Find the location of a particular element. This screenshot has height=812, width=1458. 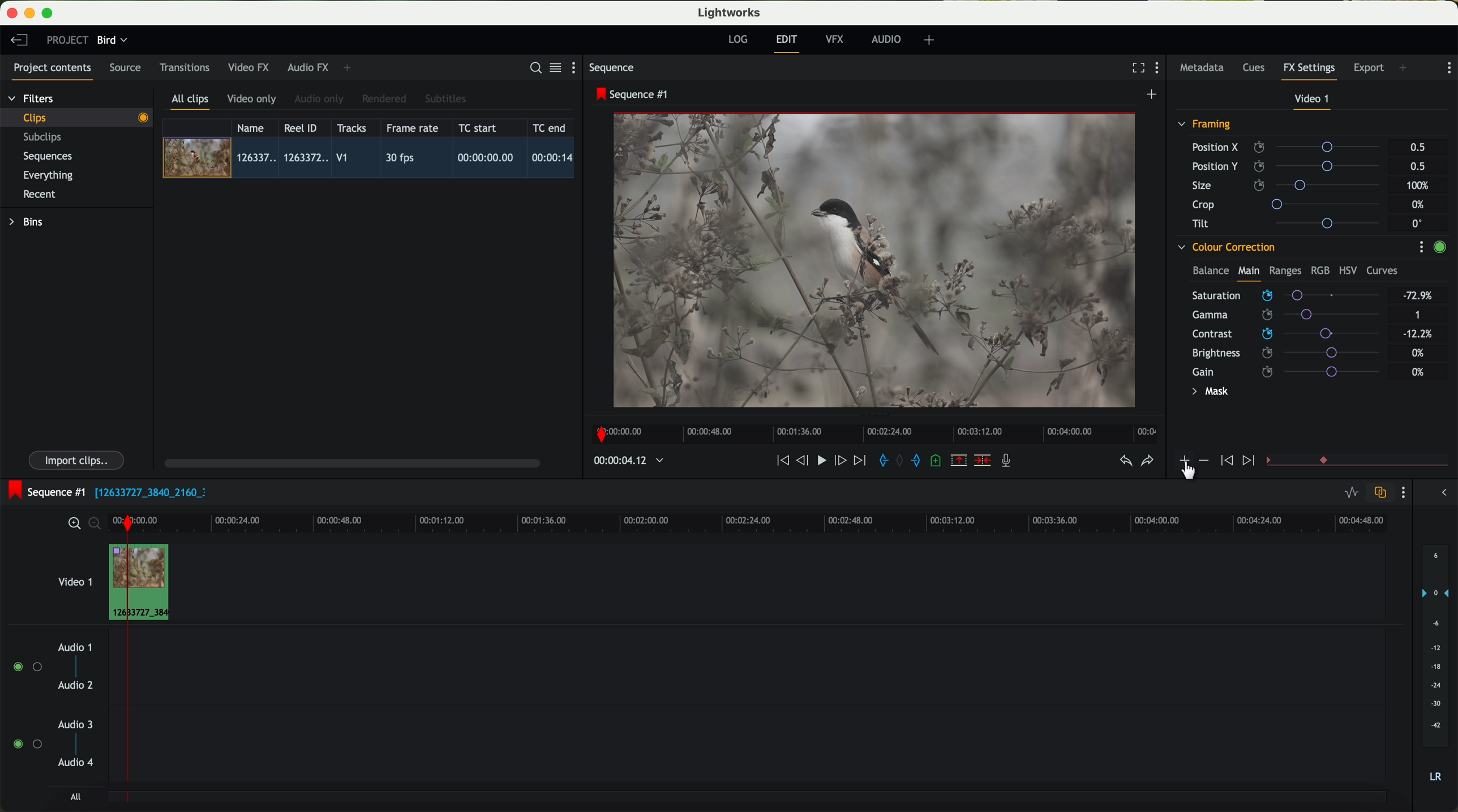

metadata is located at coordinates (1204, 68).